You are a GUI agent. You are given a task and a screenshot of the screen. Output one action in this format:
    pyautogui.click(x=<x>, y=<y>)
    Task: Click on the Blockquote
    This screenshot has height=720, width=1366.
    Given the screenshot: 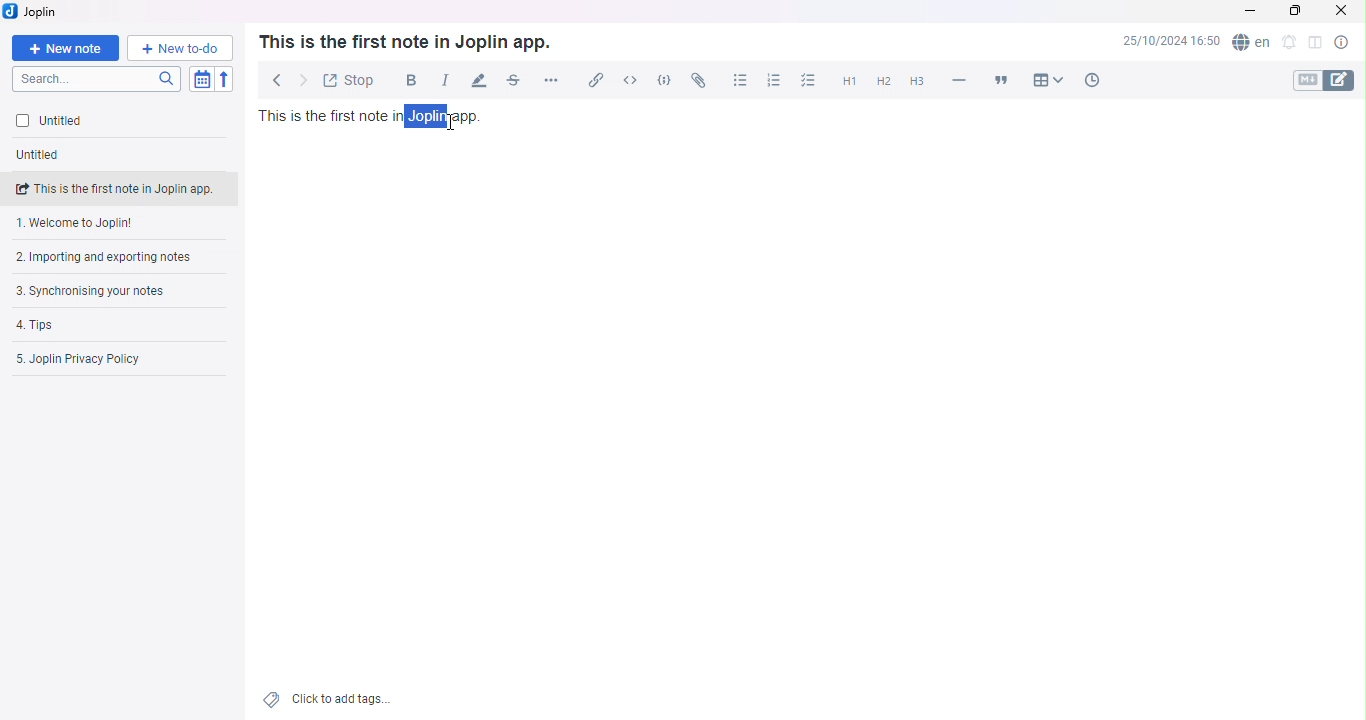 What is the action you would take?
    pyautogui.click(x=1004, y=78)
    